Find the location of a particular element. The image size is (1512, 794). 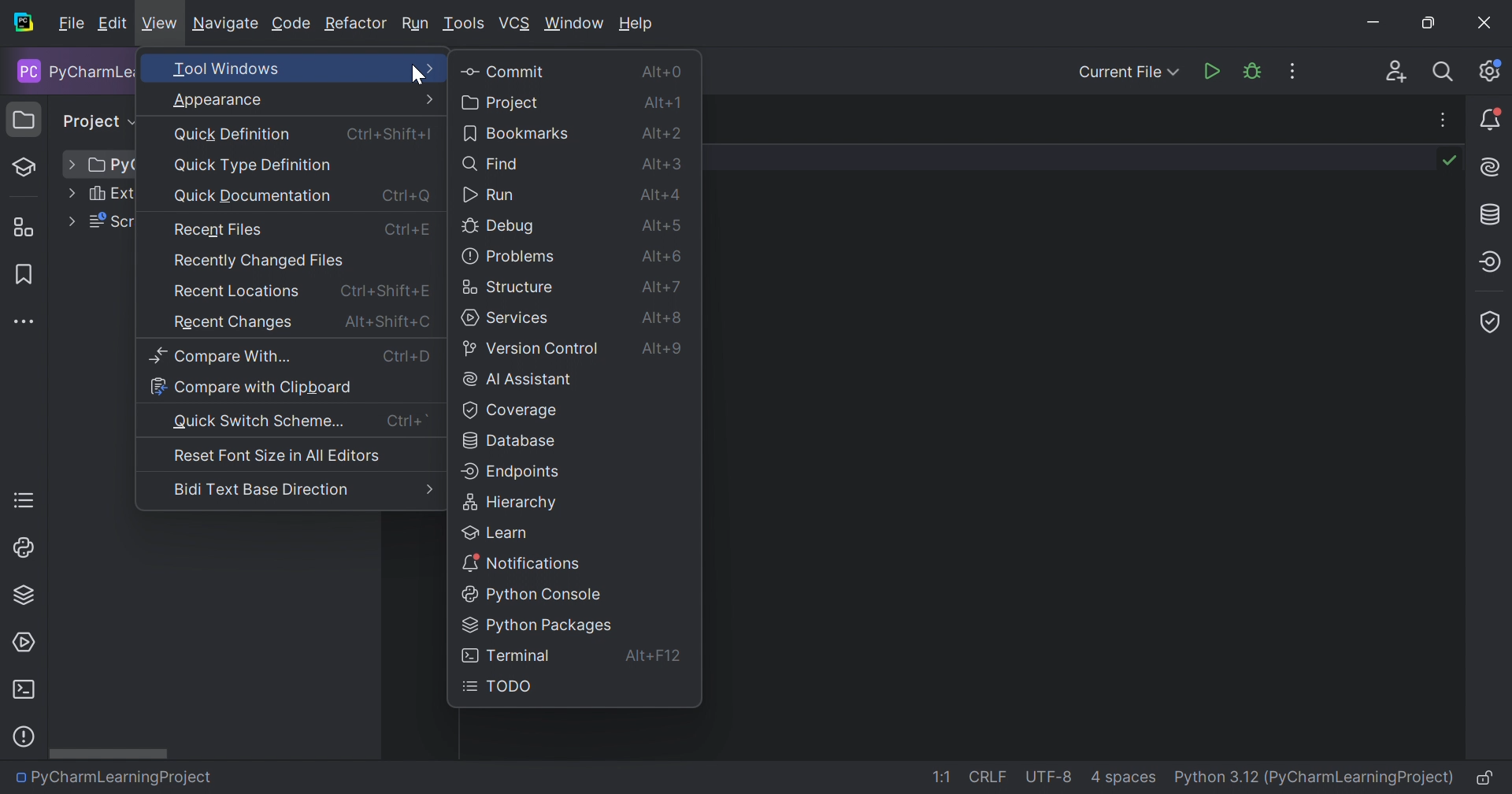

Services is located at coordinates (506, 317).